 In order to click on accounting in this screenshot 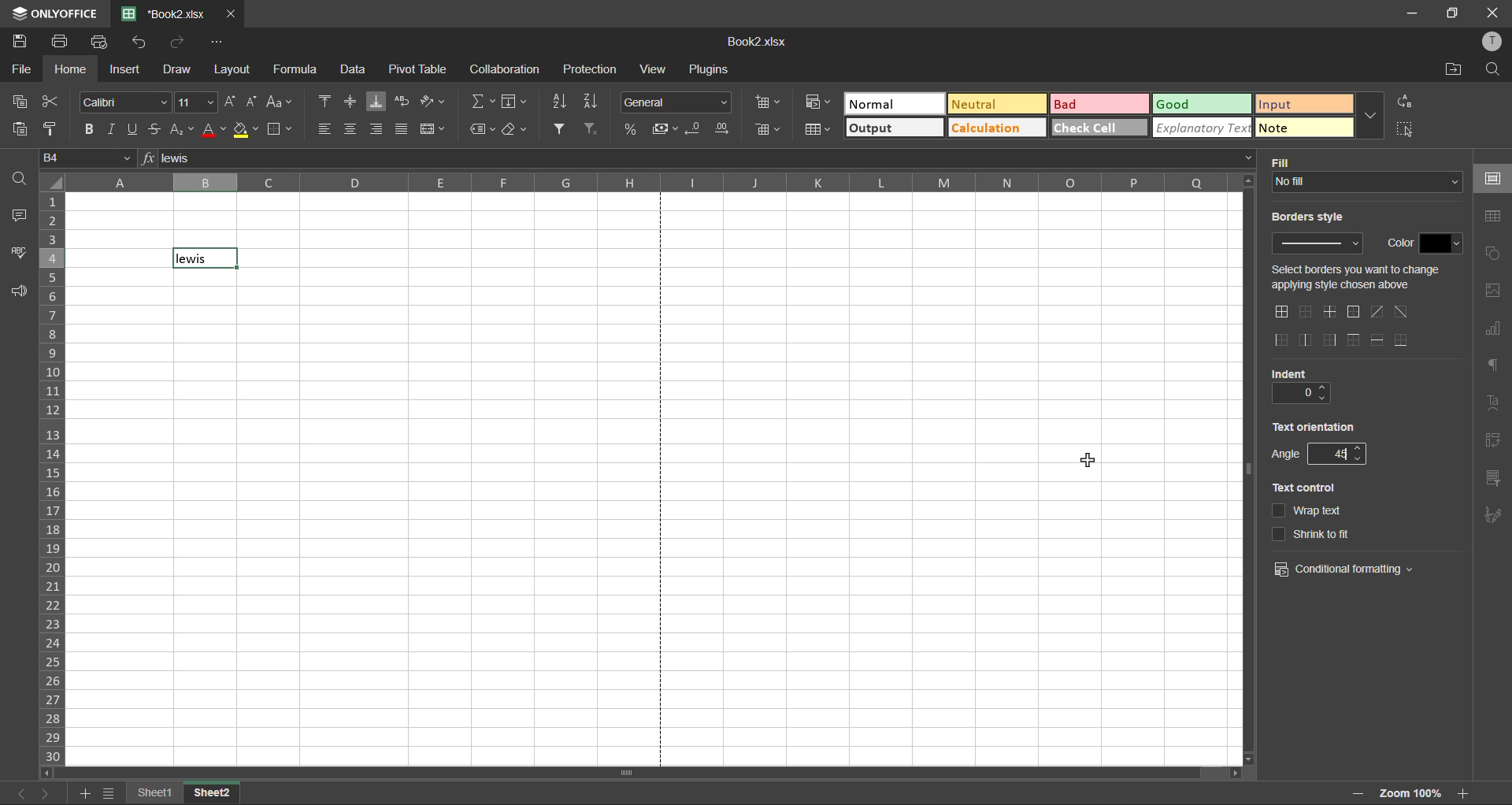, I will do `click(664, 128)`.